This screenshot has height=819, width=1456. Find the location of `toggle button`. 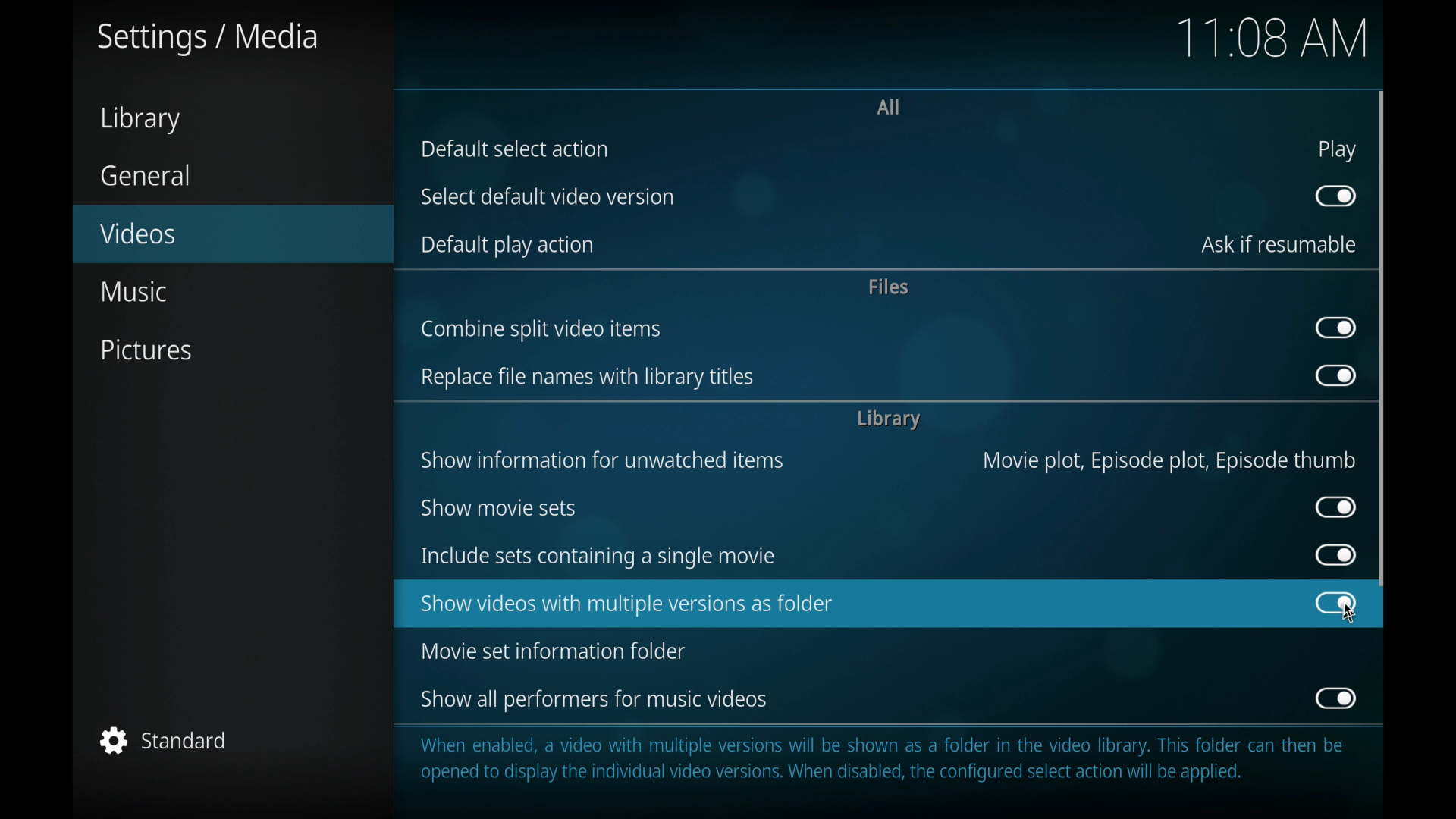

toggle button is located at coordinates (1336, 698).